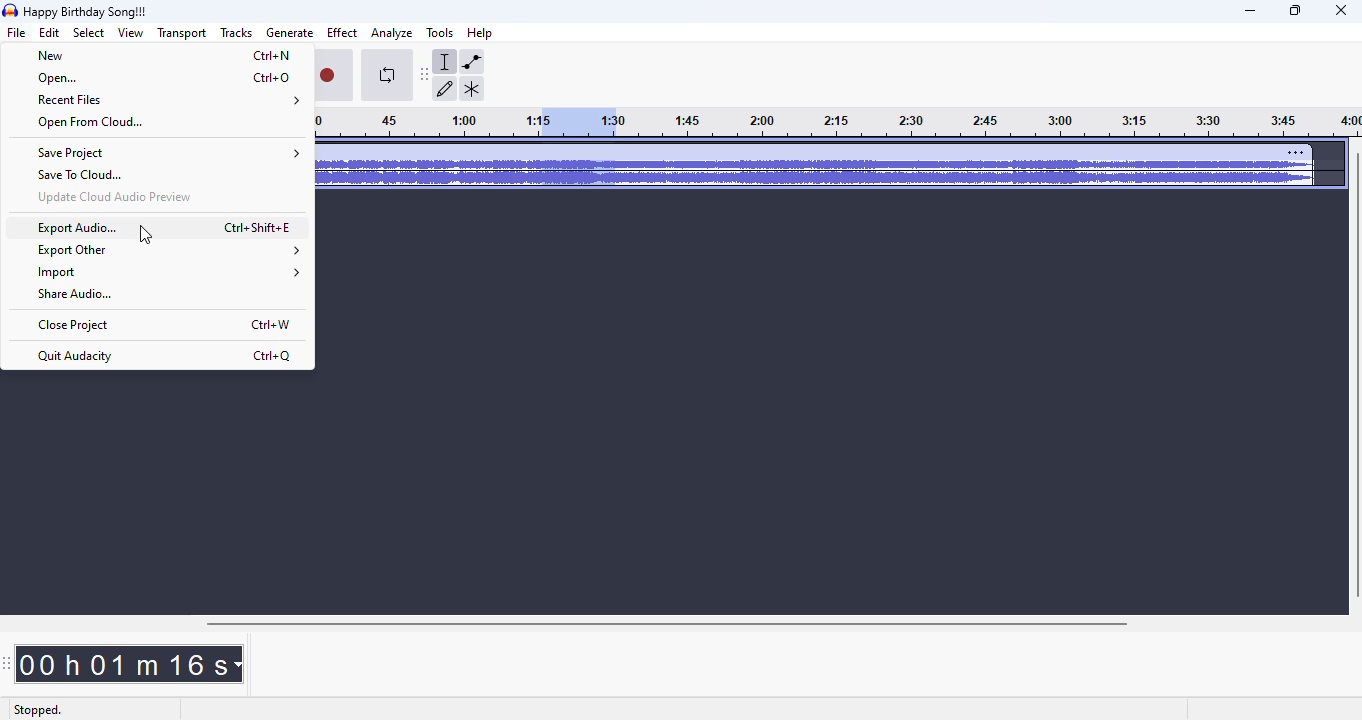 The image size is (1362, 720). Describe the element at coordinates (144, 235) in the screenshot. I see `cursor` at that location.